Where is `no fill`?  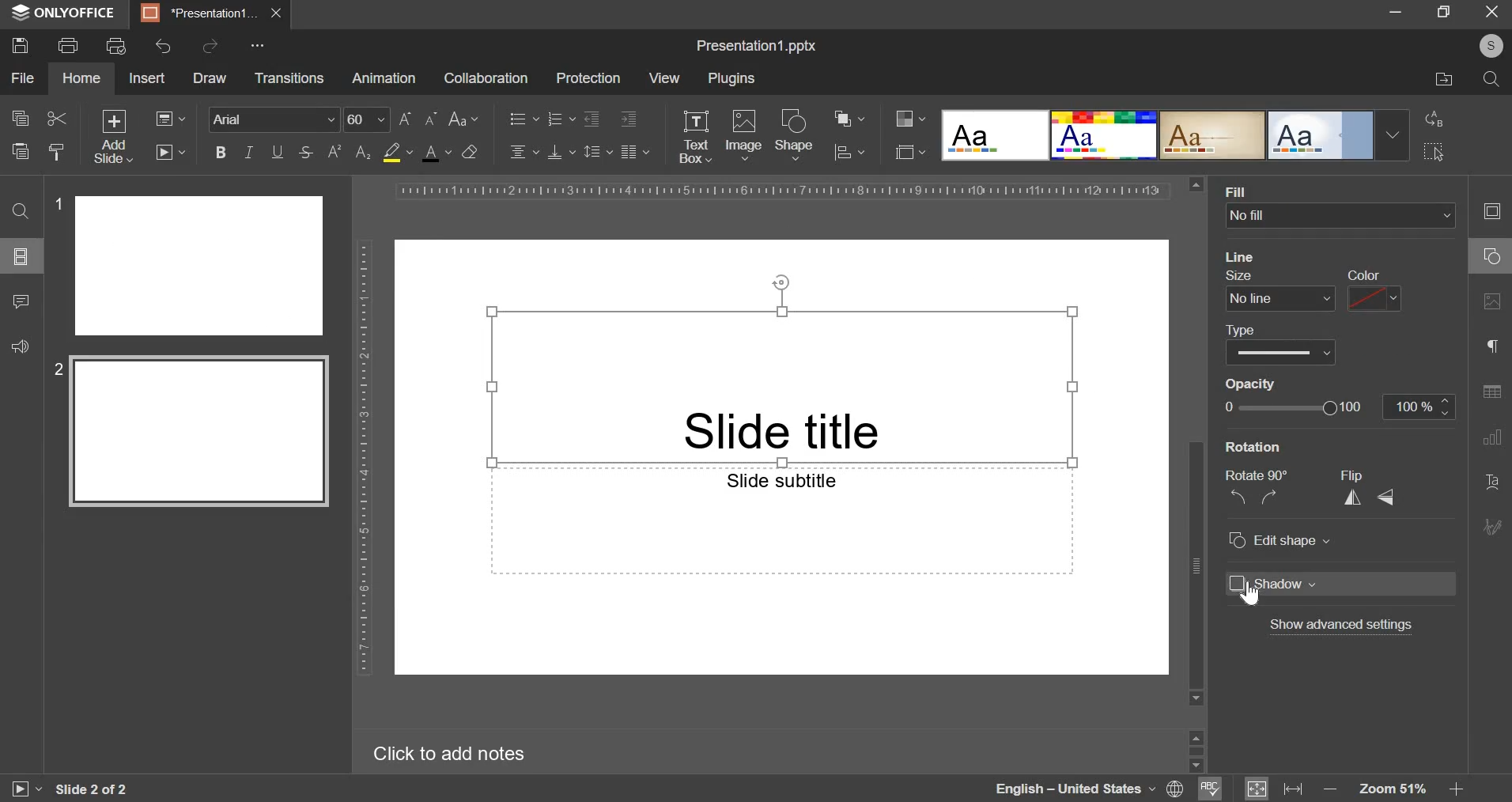 no fill is located at coordinates (1335, 216).